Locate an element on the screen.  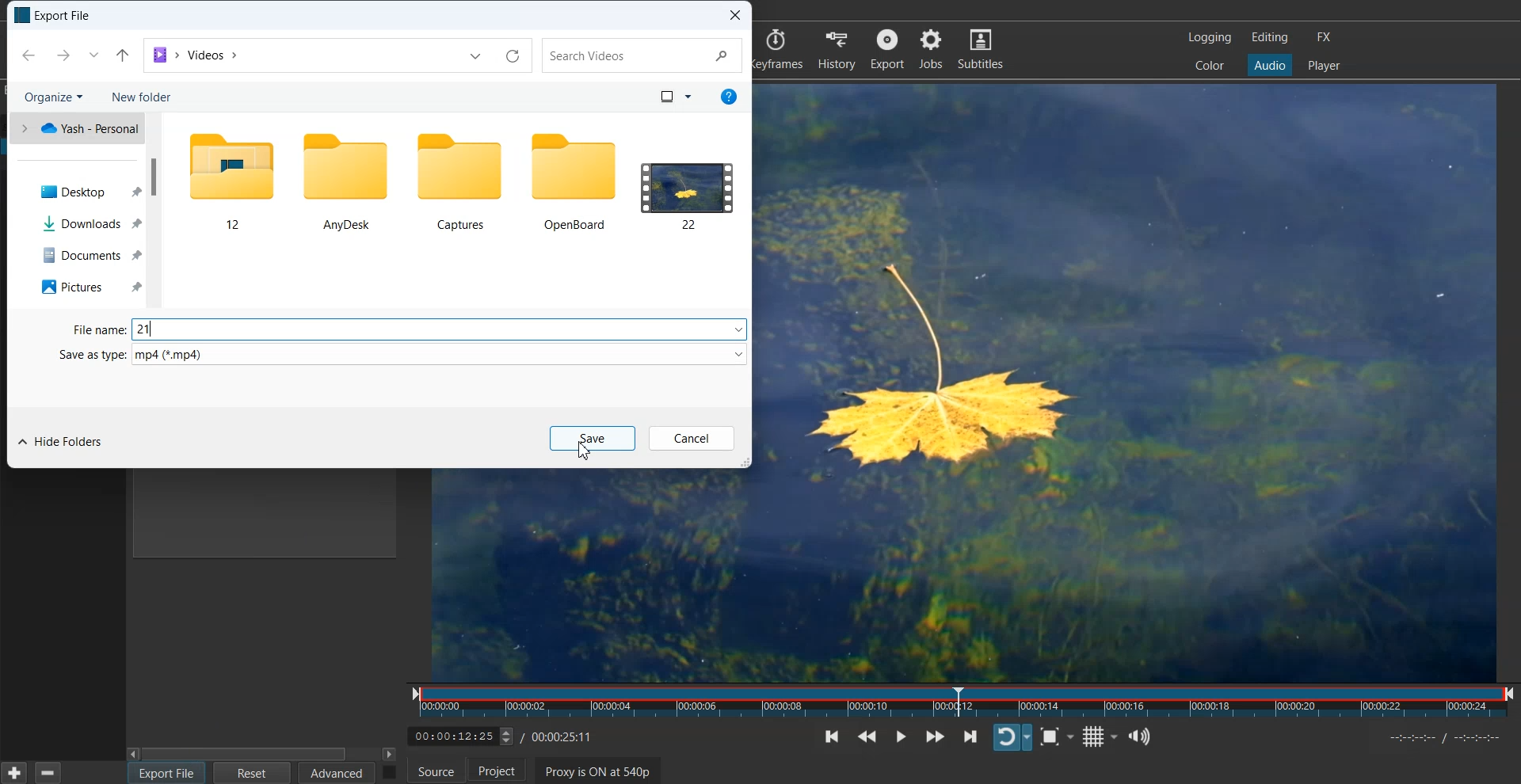
Subtitles is located at coordinates (981, 48).